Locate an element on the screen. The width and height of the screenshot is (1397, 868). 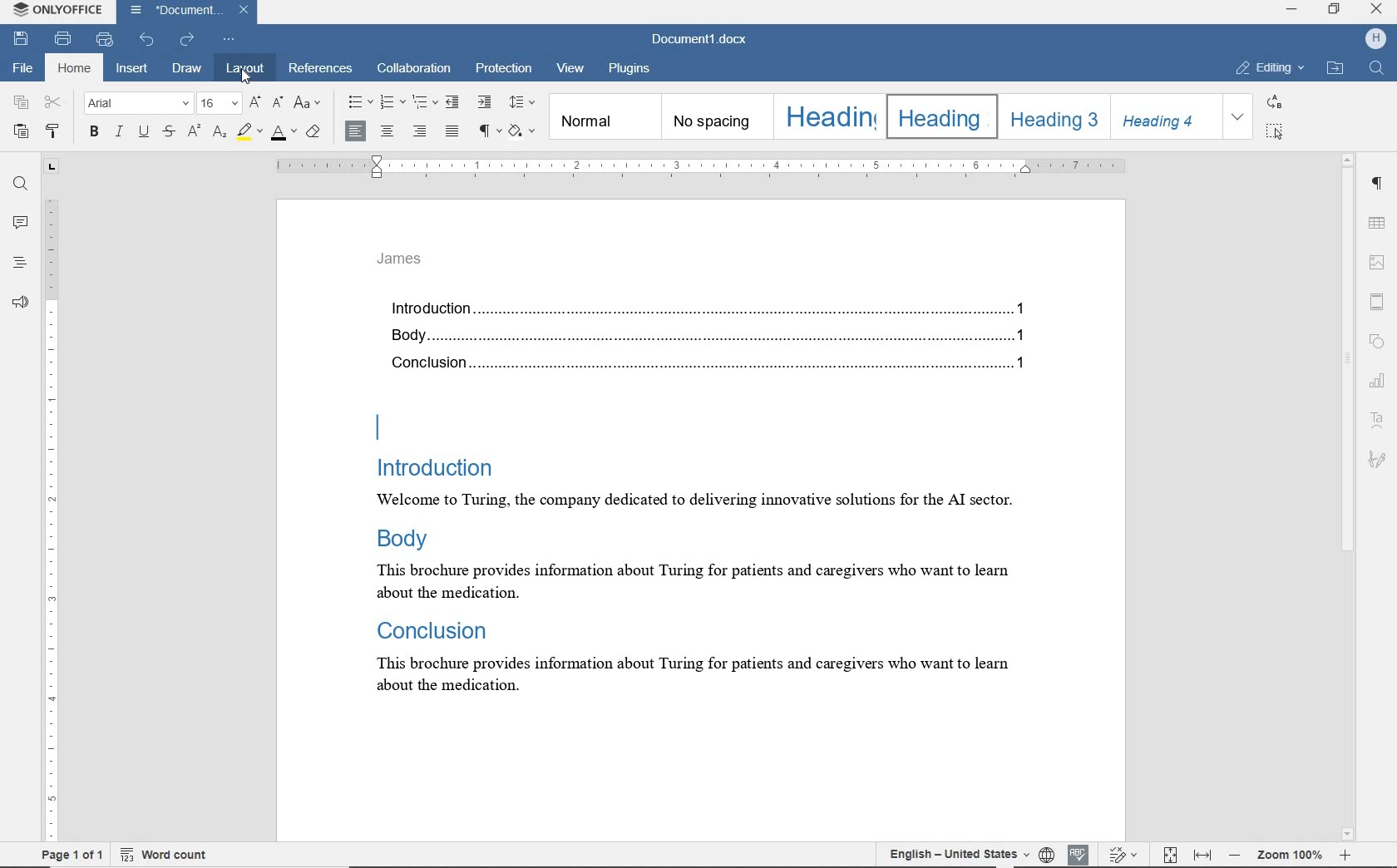
signature is located at coordinates (1376, 458).